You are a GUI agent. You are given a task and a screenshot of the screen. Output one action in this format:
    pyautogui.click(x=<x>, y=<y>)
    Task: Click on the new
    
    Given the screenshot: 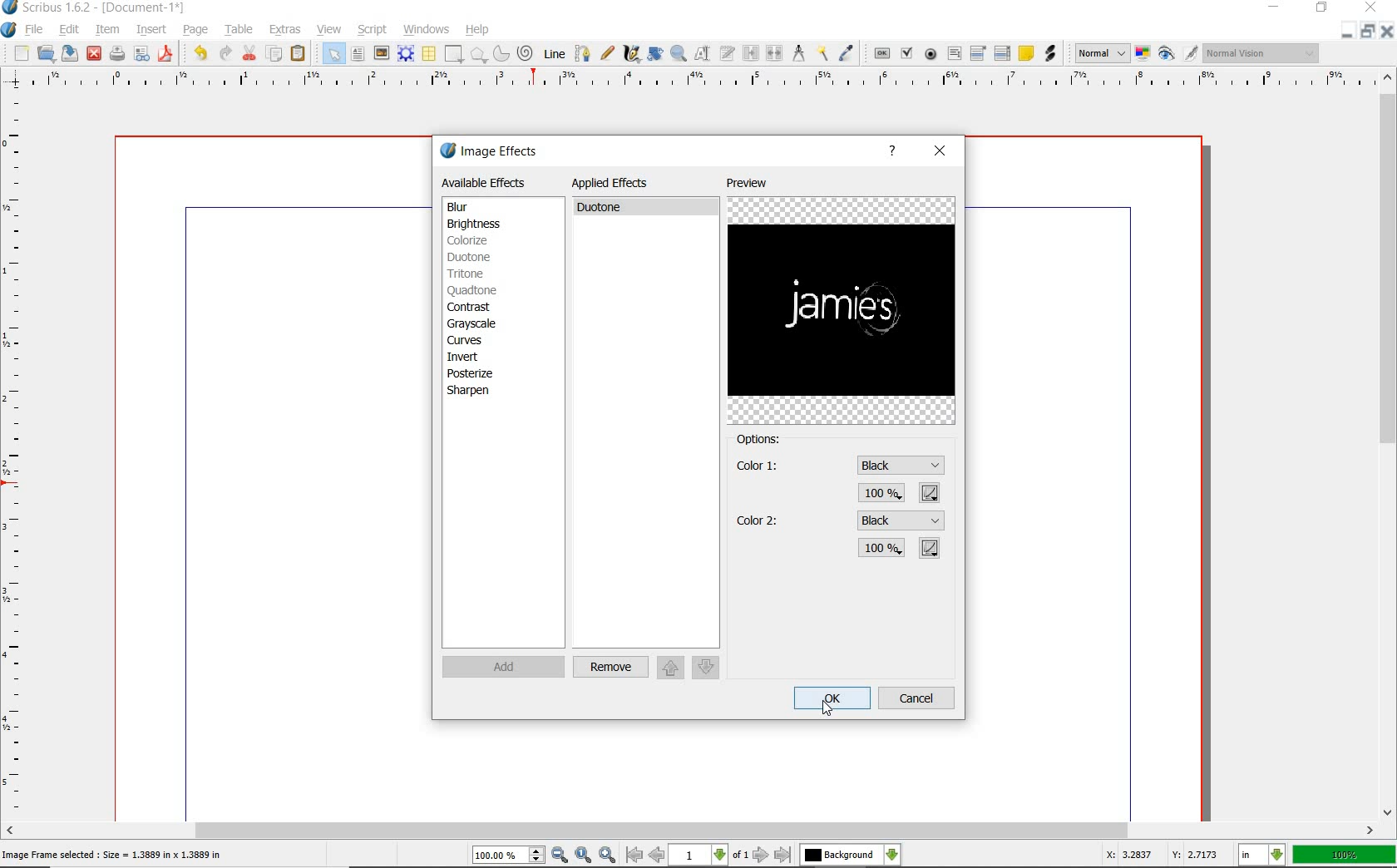 What is the action you would take?
    pyautogui.click(x=22, y=55)
    